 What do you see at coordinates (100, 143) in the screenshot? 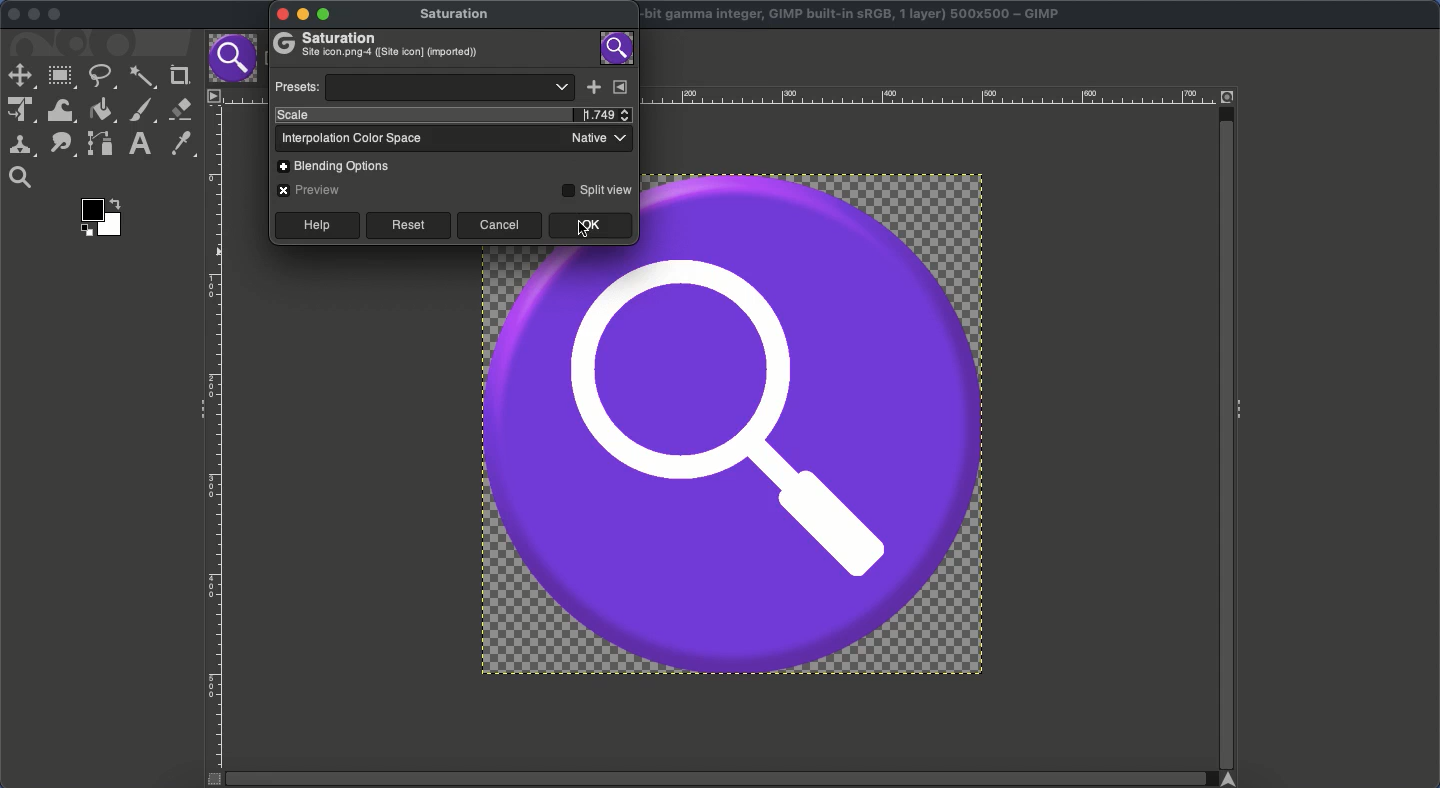
I see `Path` at bounding box center [100, 143].